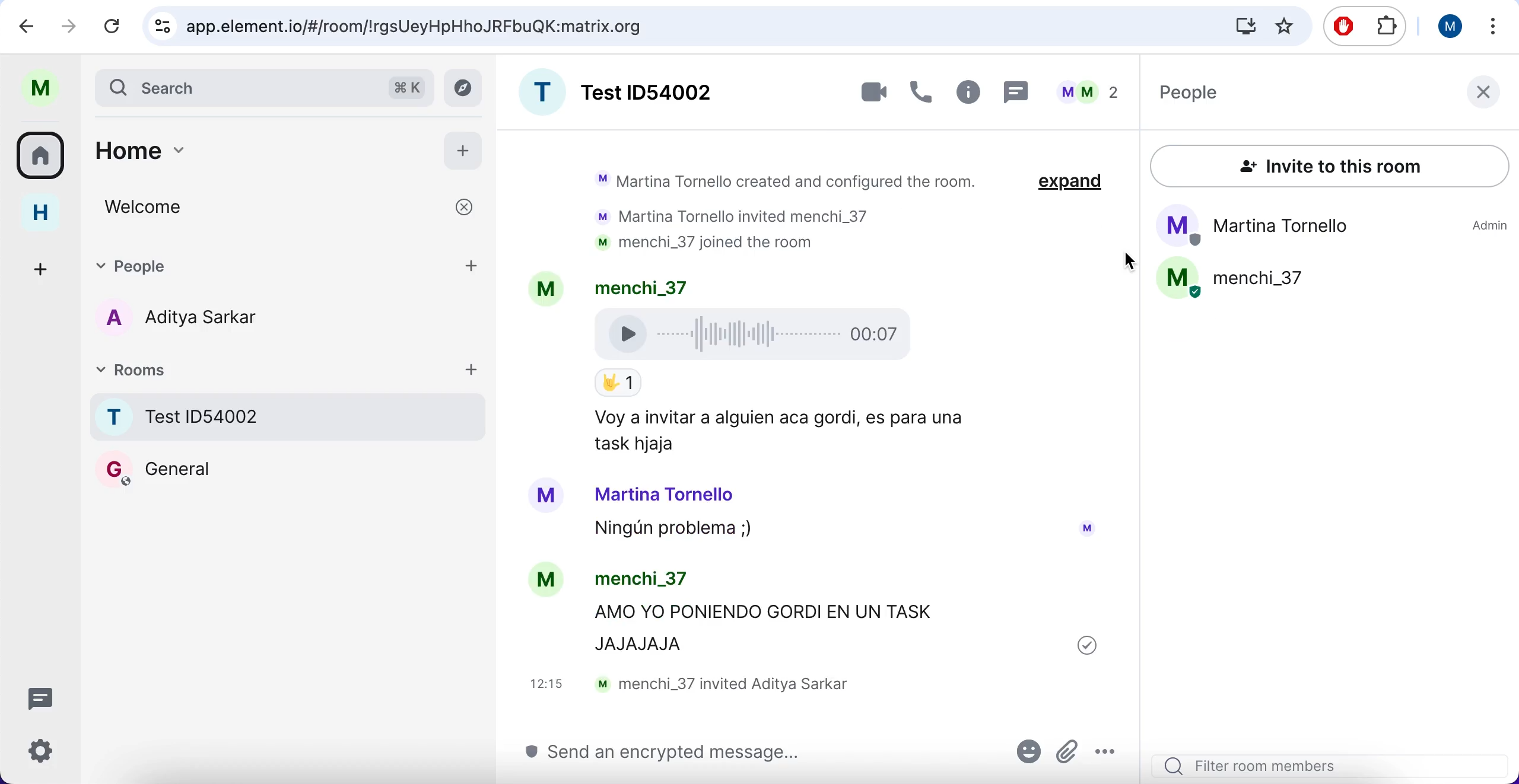 The width and height of the screenshot is (1519, 784). I want to click on chat, so click(1021, 94).